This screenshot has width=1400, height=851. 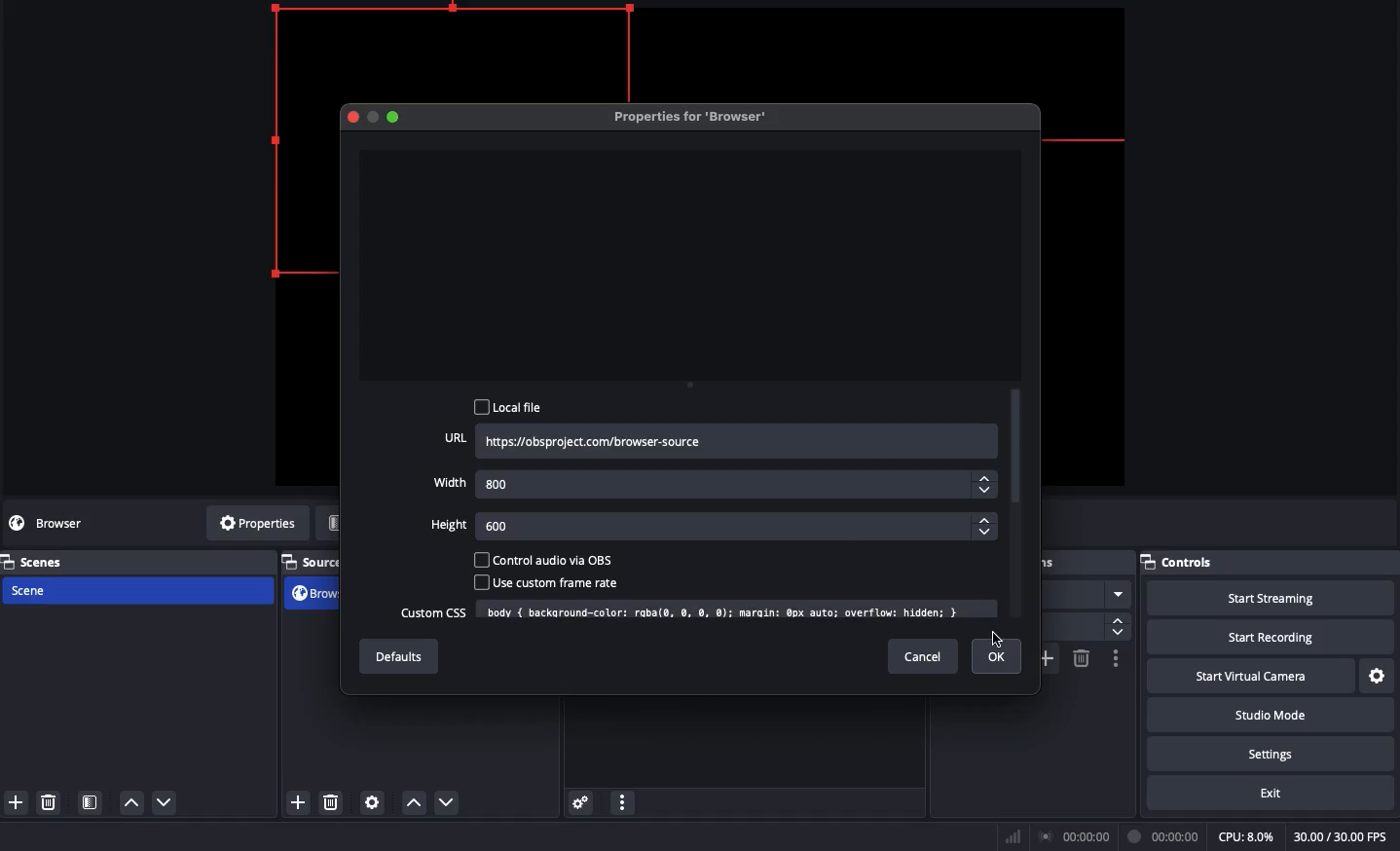 What do you see at coordinates (1342, 836) in the screenshot?
I see `30.00/30.00 FPS` at bounding box center [1342, 836].